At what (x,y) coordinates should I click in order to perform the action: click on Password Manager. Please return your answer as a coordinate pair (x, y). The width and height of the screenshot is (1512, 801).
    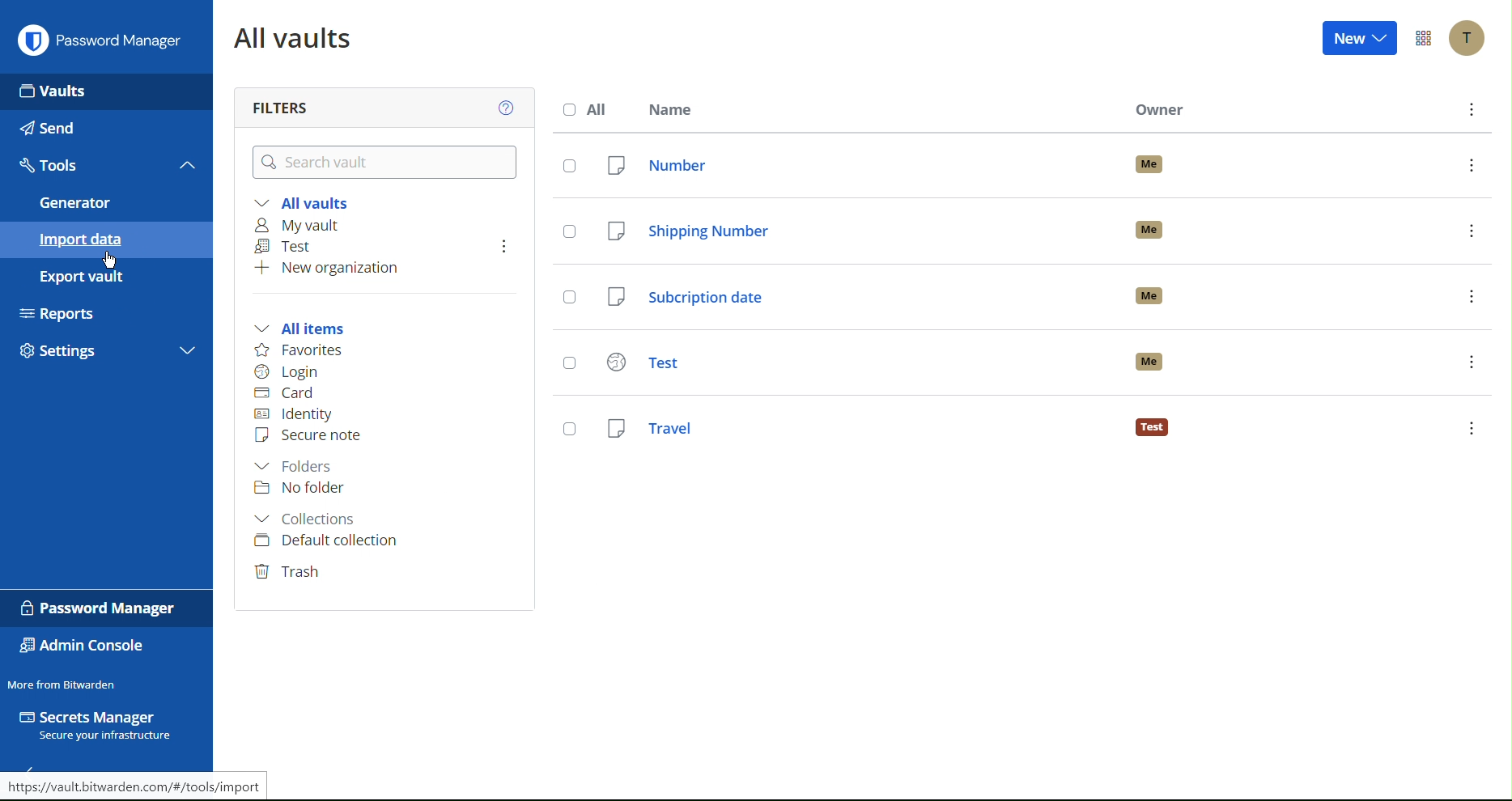
    Looking at the image, I should click on (100, 39).